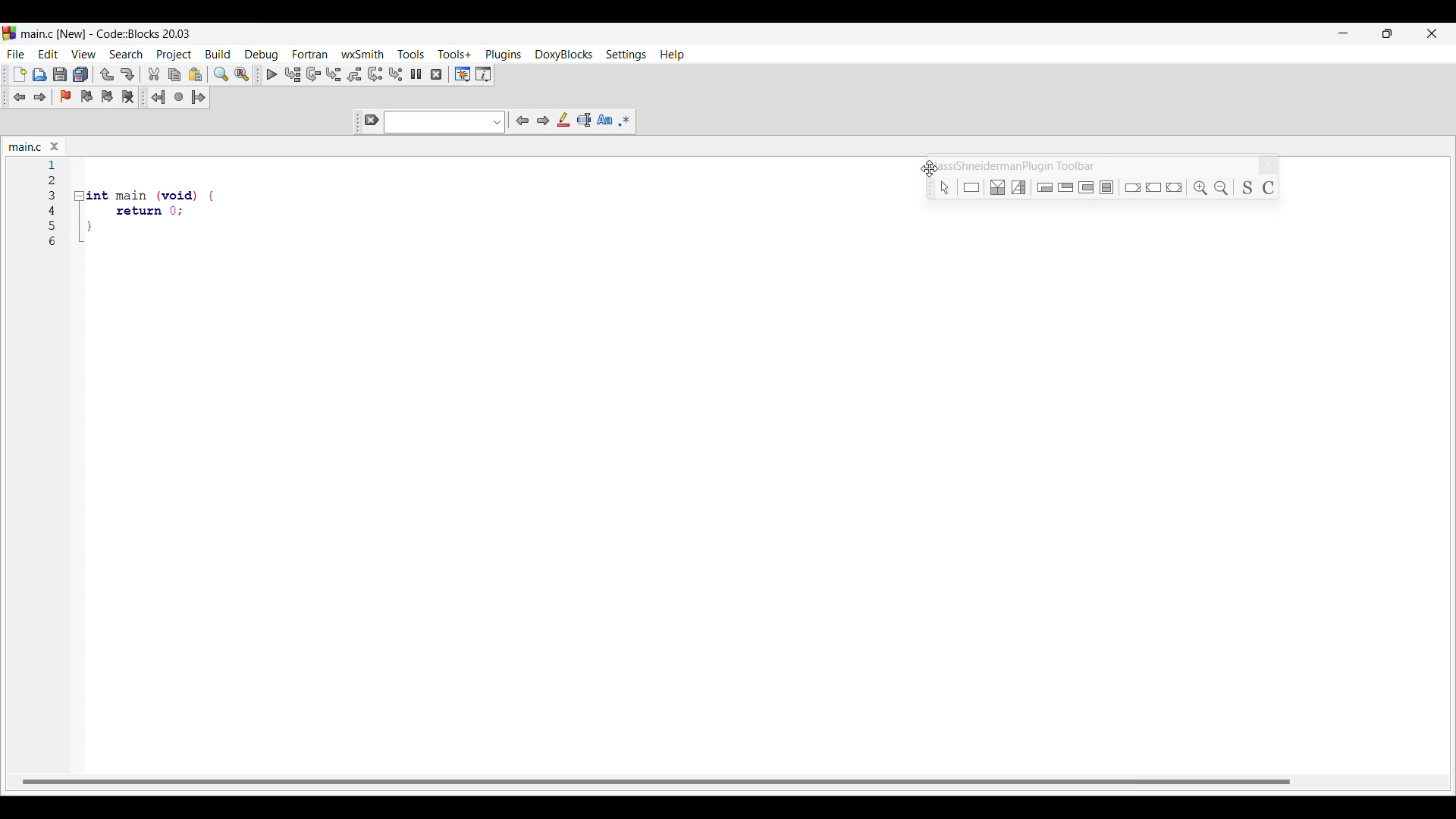 The height and width of the screenshot is (819, 1456). Describe the element at coordinates (454, 54) in the screenshot. I see `Tools+ menu` at that location.